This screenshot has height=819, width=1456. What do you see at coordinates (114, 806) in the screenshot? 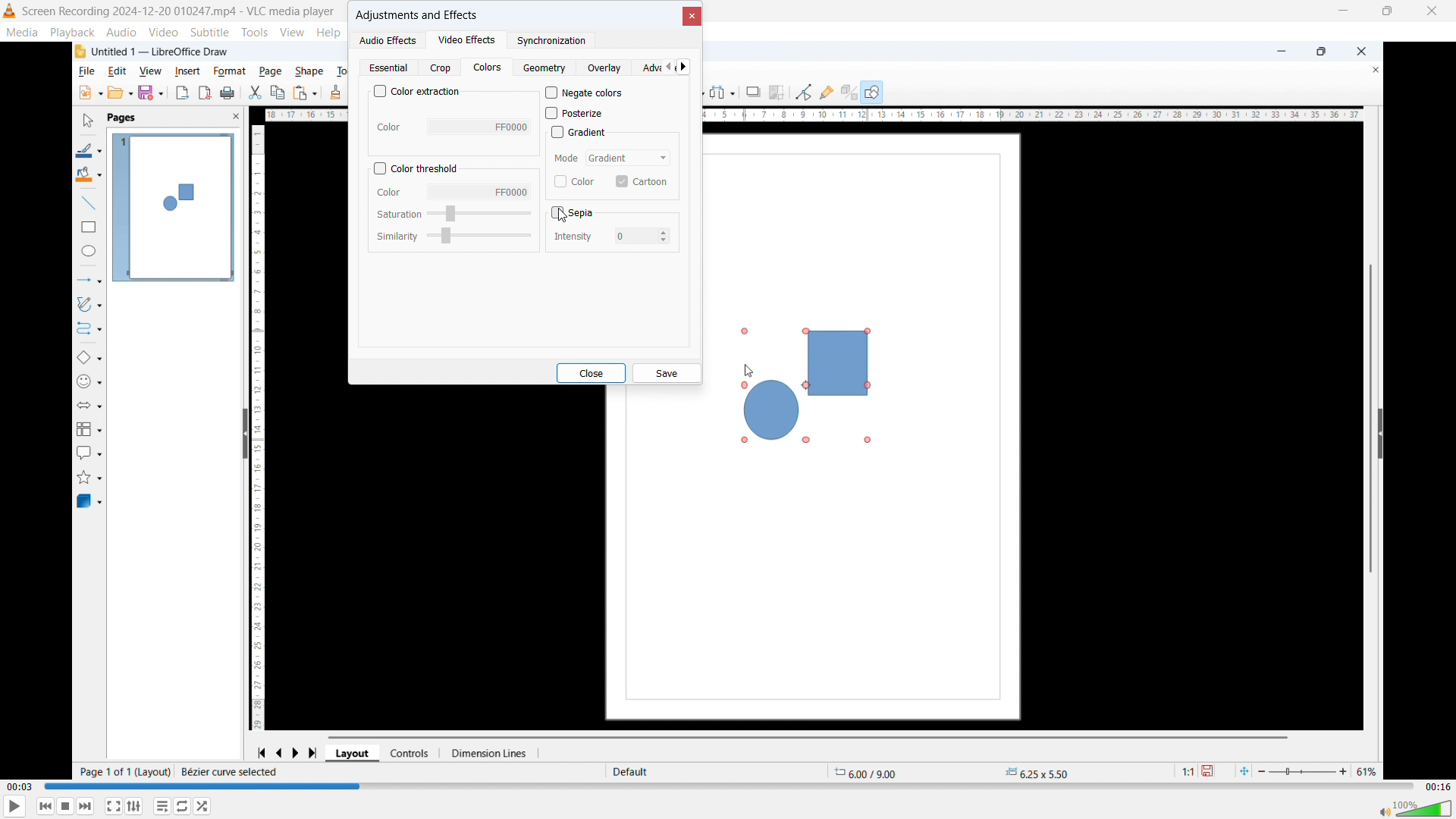
I see `Full screen` at bounding box center [114, 806].